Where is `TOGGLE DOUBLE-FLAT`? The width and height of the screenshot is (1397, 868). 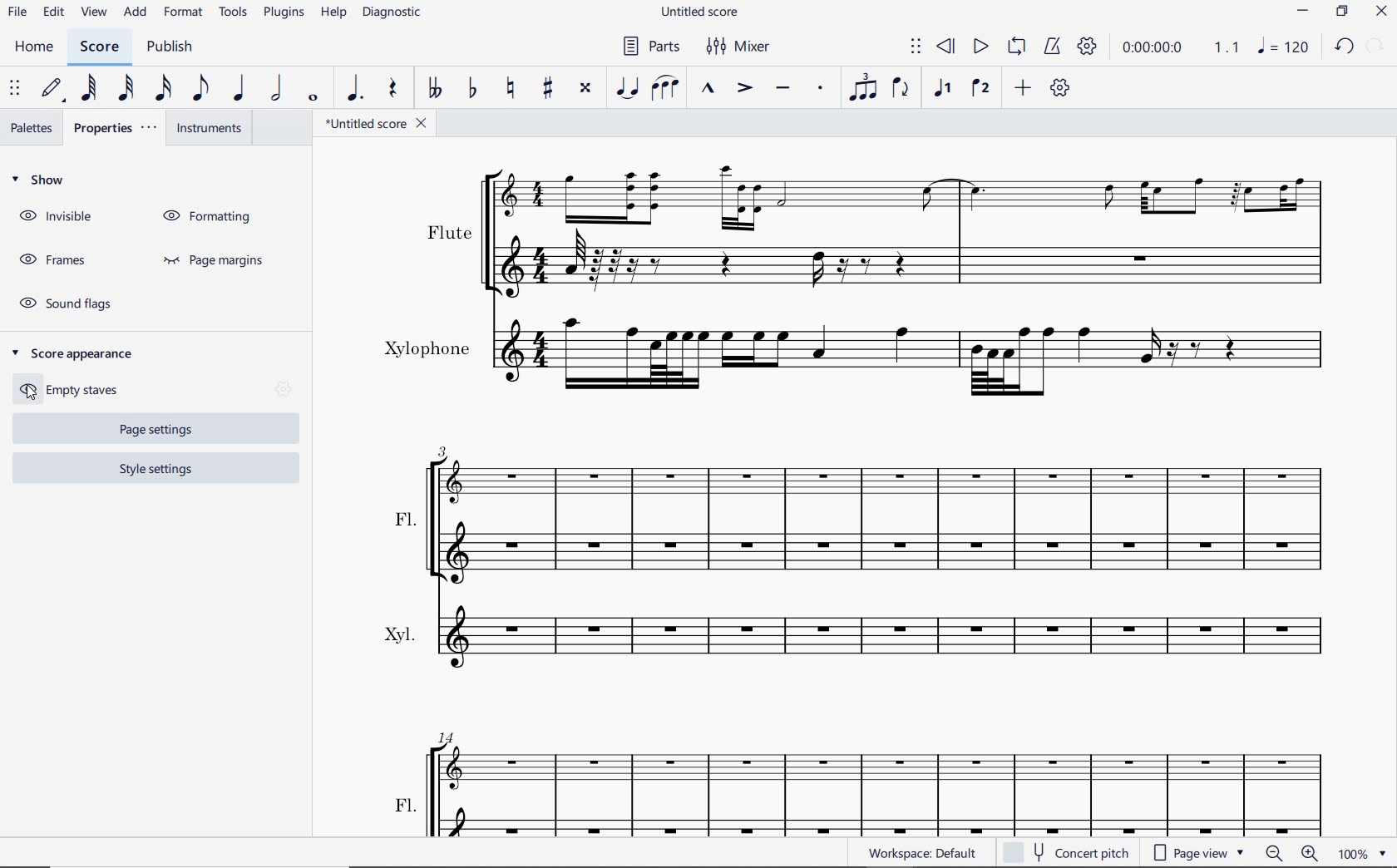
TOGGLE DOUBLE-FLAT is located at coordinates (437, 88).